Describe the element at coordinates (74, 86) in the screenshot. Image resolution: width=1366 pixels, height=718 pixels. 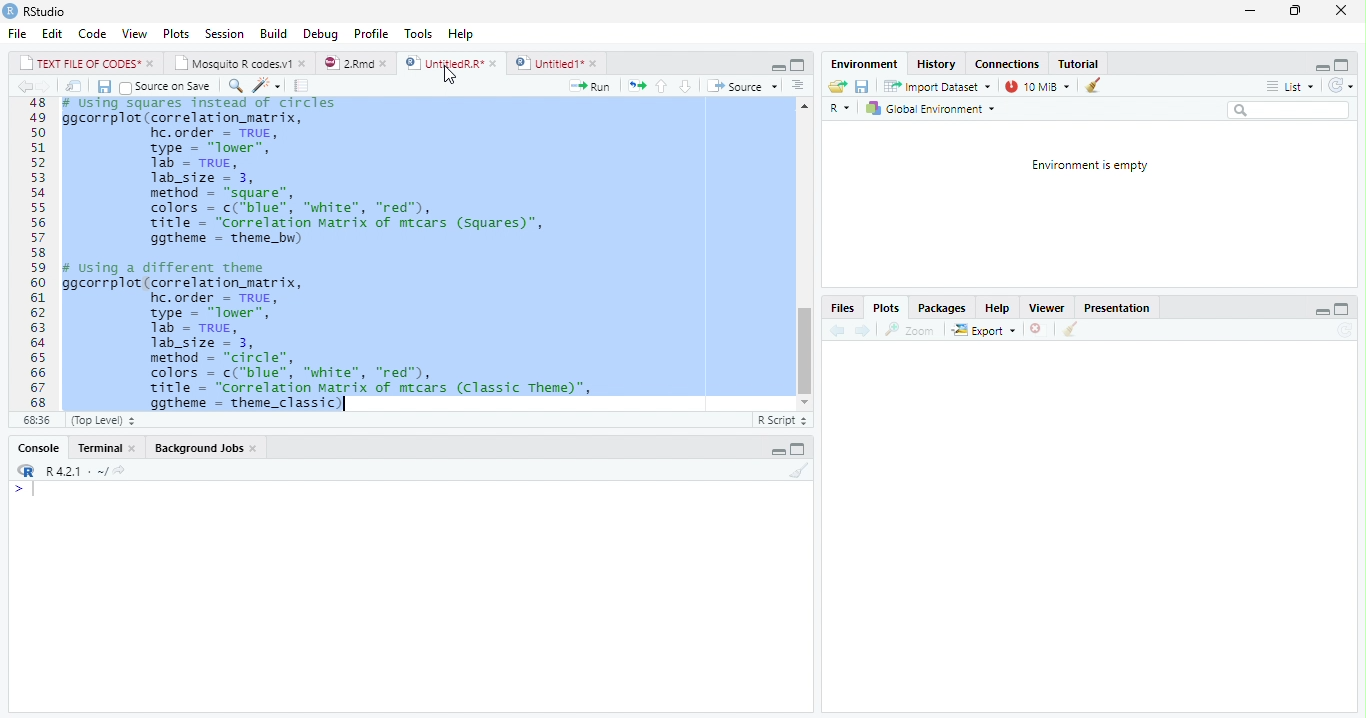
I see `show in new window` at that location.